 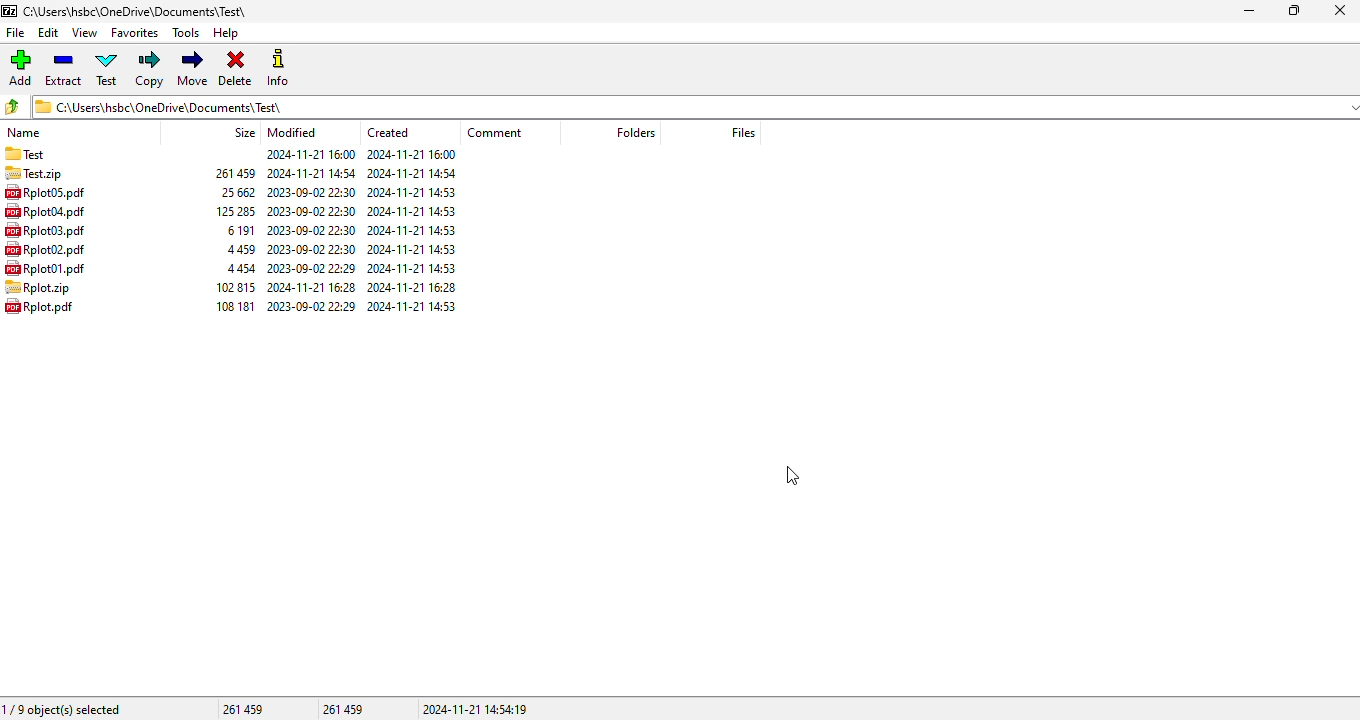 What do you see at coordinates (44, 192) in the screenshot?
I see `file name` at bounding box center [44, 192].